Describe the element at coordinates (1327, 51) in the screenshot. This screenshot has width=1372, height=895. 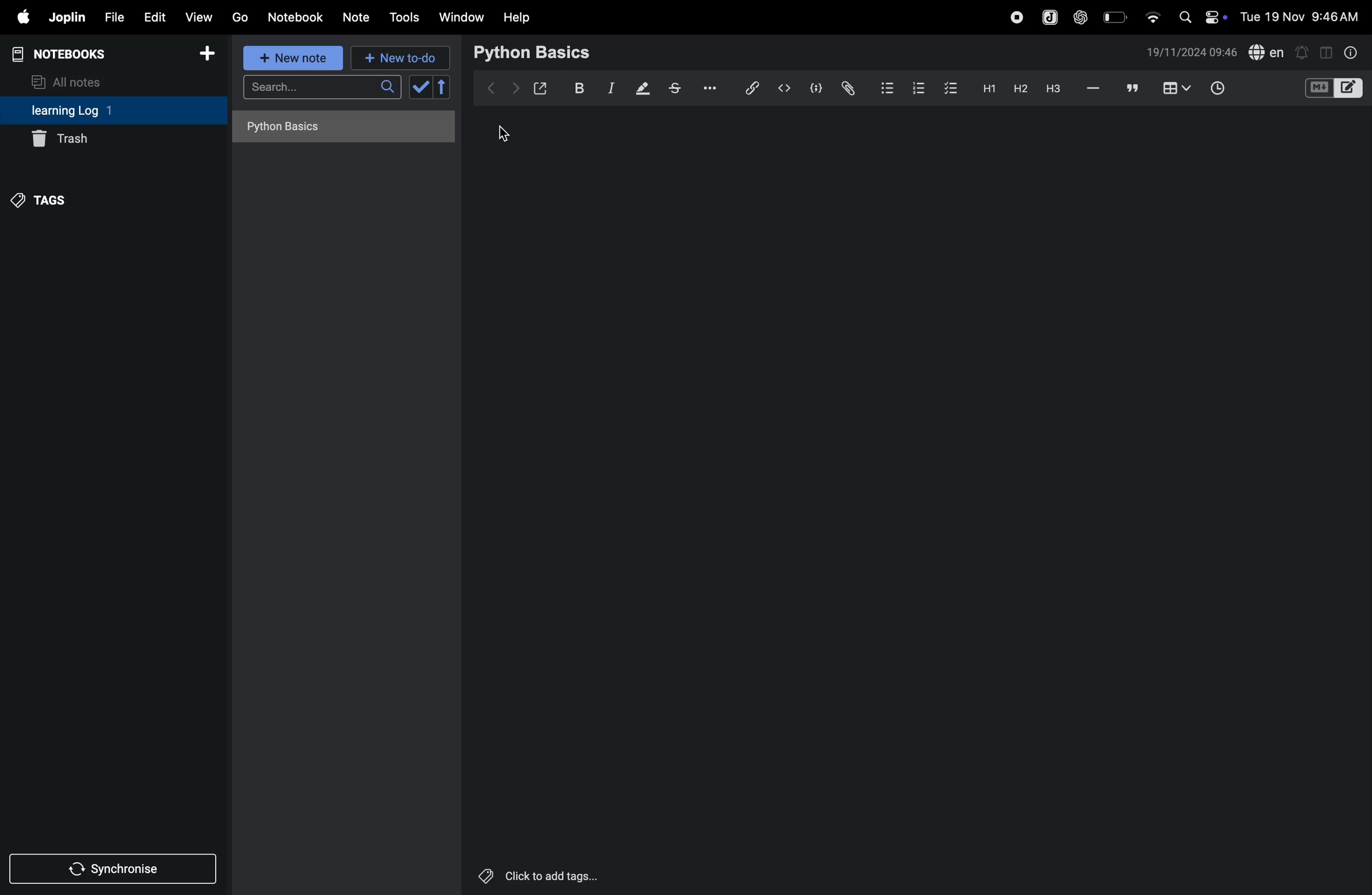
I see `toggle editor layout` at that location.